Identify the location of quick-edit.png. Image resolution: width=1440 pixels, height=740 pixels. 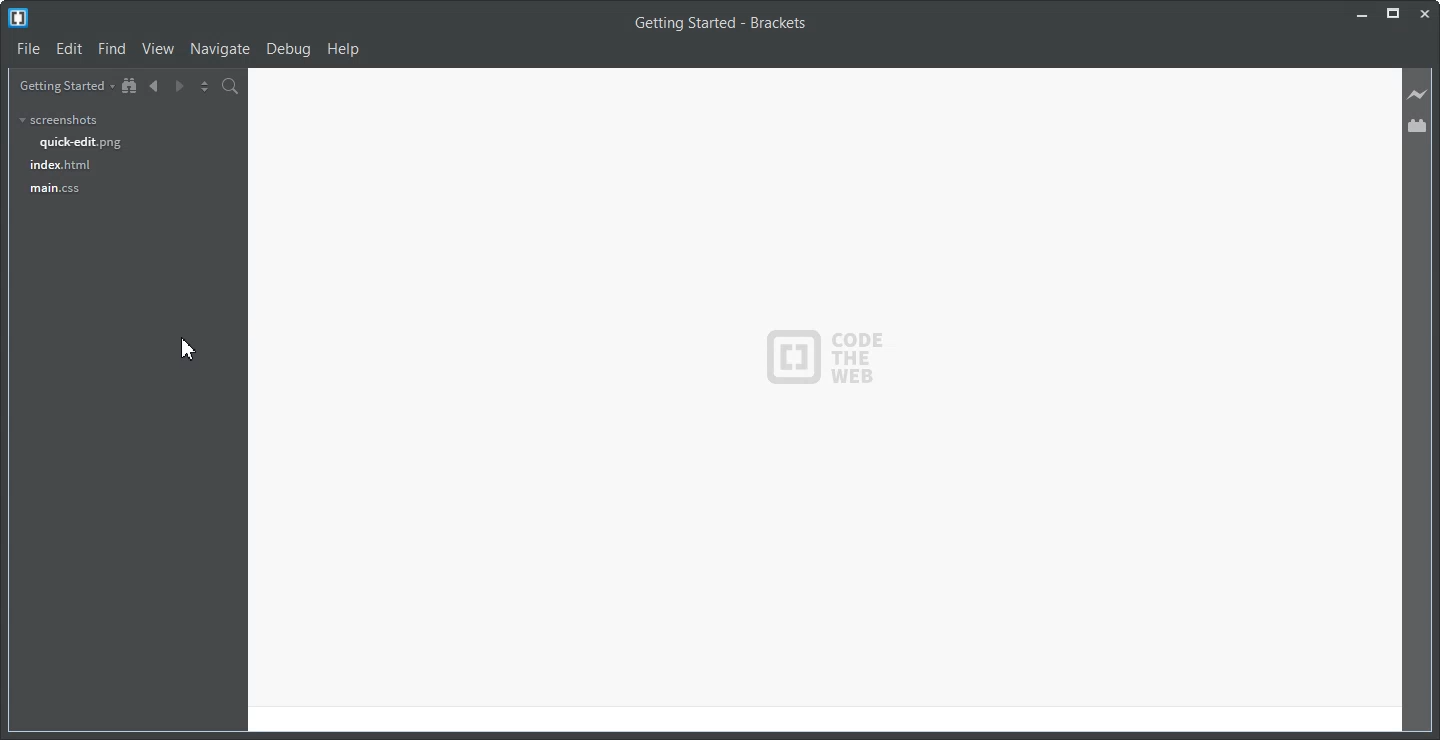
(81, 142).